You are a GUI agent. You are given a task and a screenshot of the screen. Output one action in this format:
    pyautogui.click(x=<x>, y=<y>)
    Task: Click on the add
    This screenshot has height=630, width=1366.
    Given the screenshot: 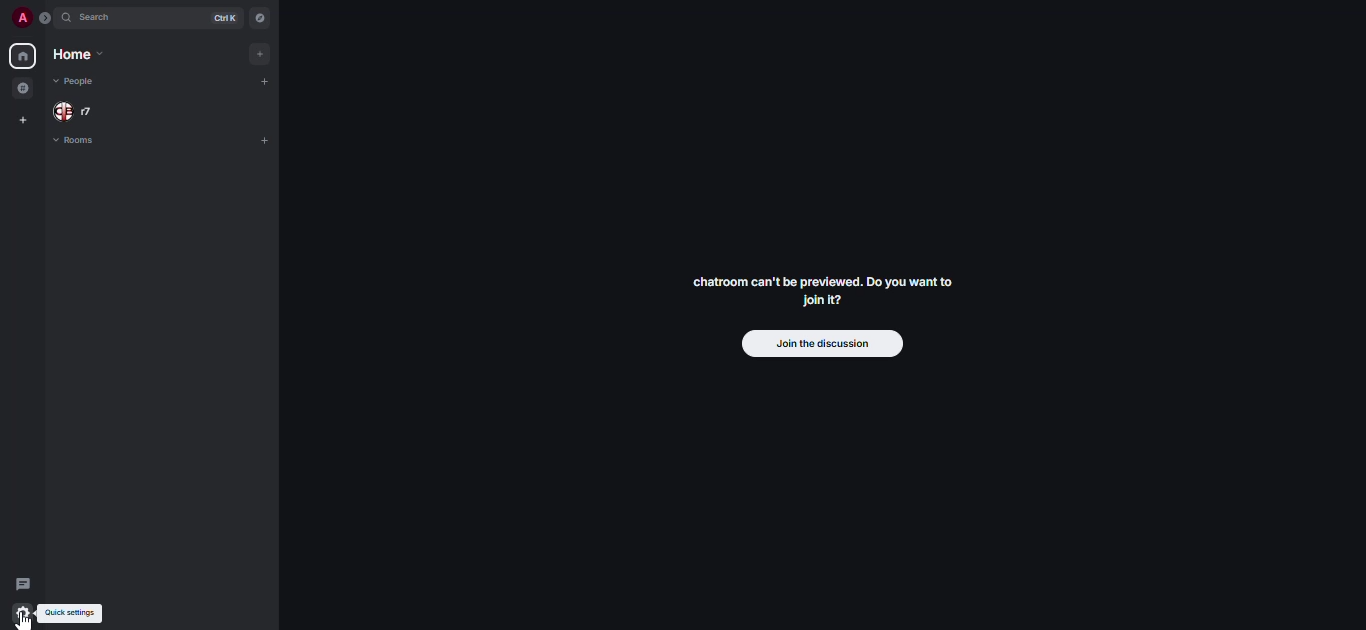 What is the action you would take?
    pyautogui.click(x=264, y=141)
    